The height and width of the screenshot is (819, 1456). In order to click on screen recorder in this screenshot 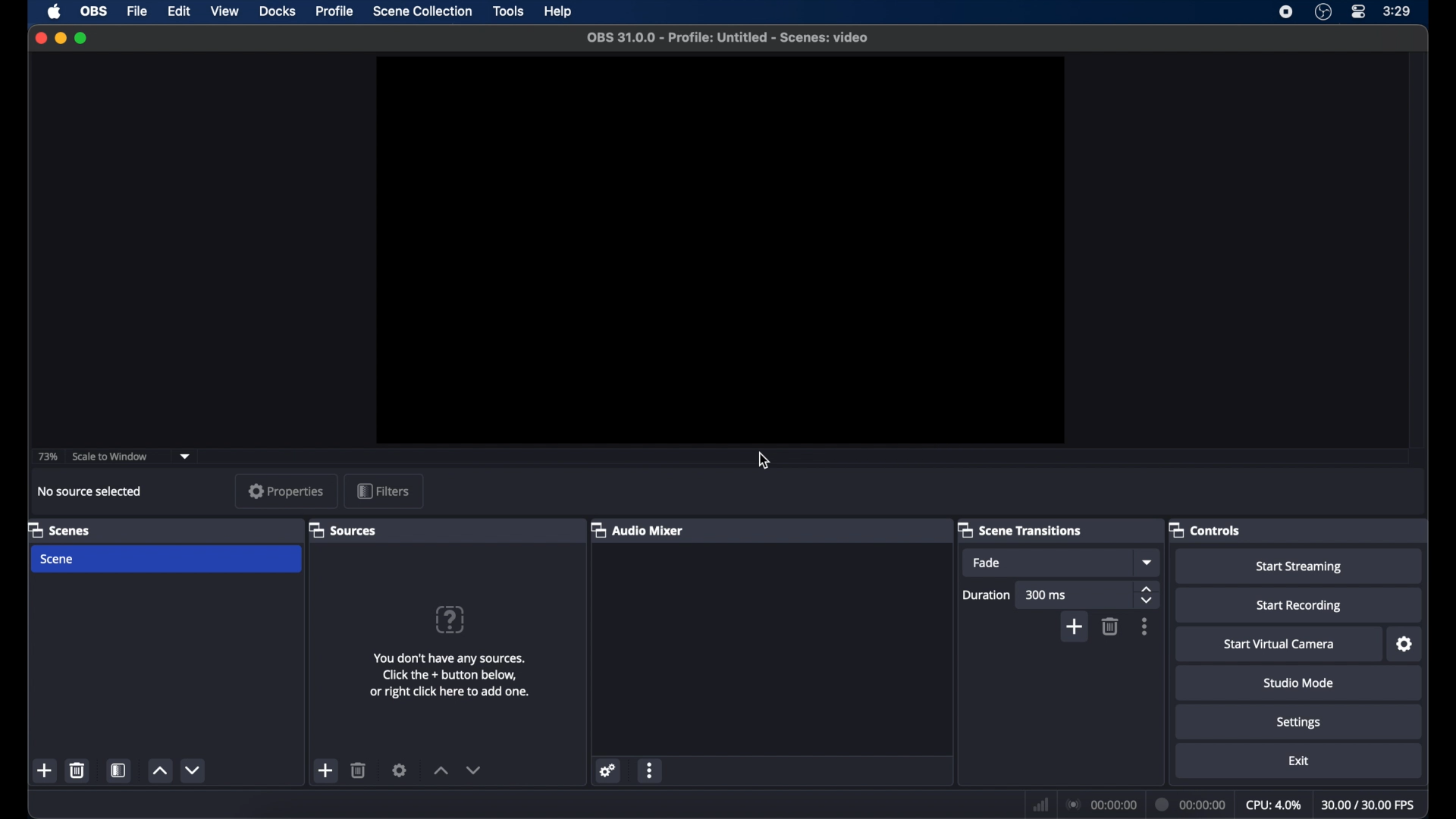, I will do `click(1286, 12)`.